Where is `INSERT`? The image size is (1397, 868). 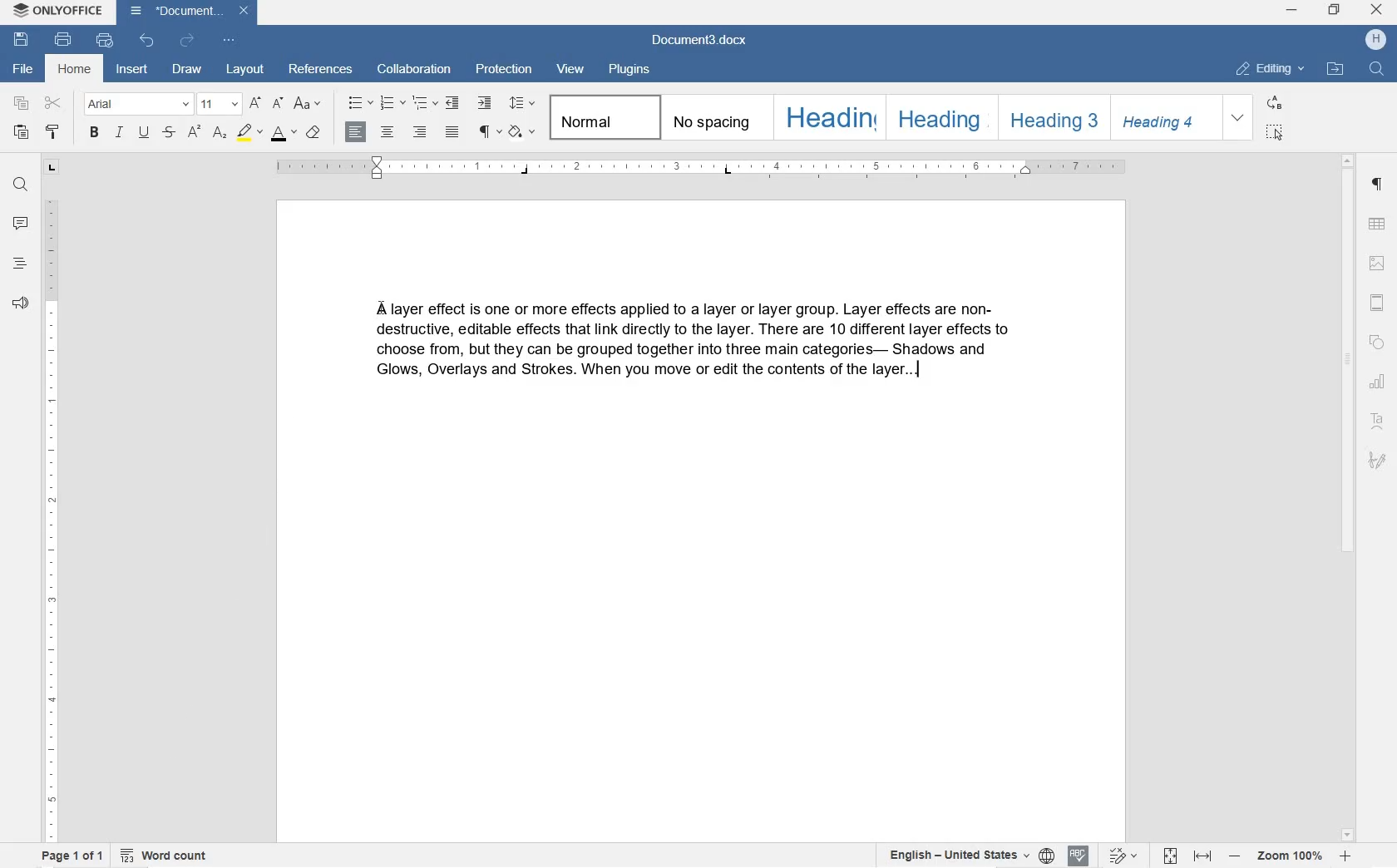
INSERT is located at coordinates (133, 71).